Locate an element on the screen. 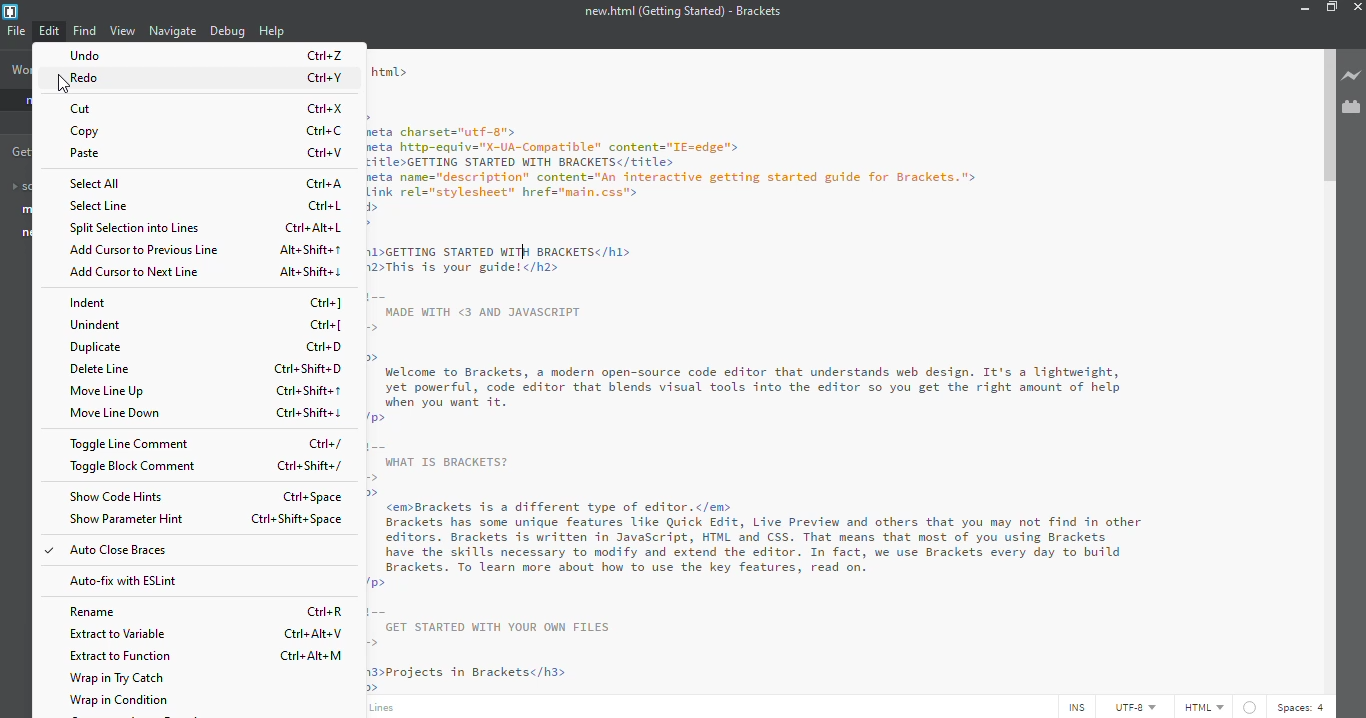 Image resolution: width=1366 pixels, height=718 pixels. html is located at coordinates (1201, 706).